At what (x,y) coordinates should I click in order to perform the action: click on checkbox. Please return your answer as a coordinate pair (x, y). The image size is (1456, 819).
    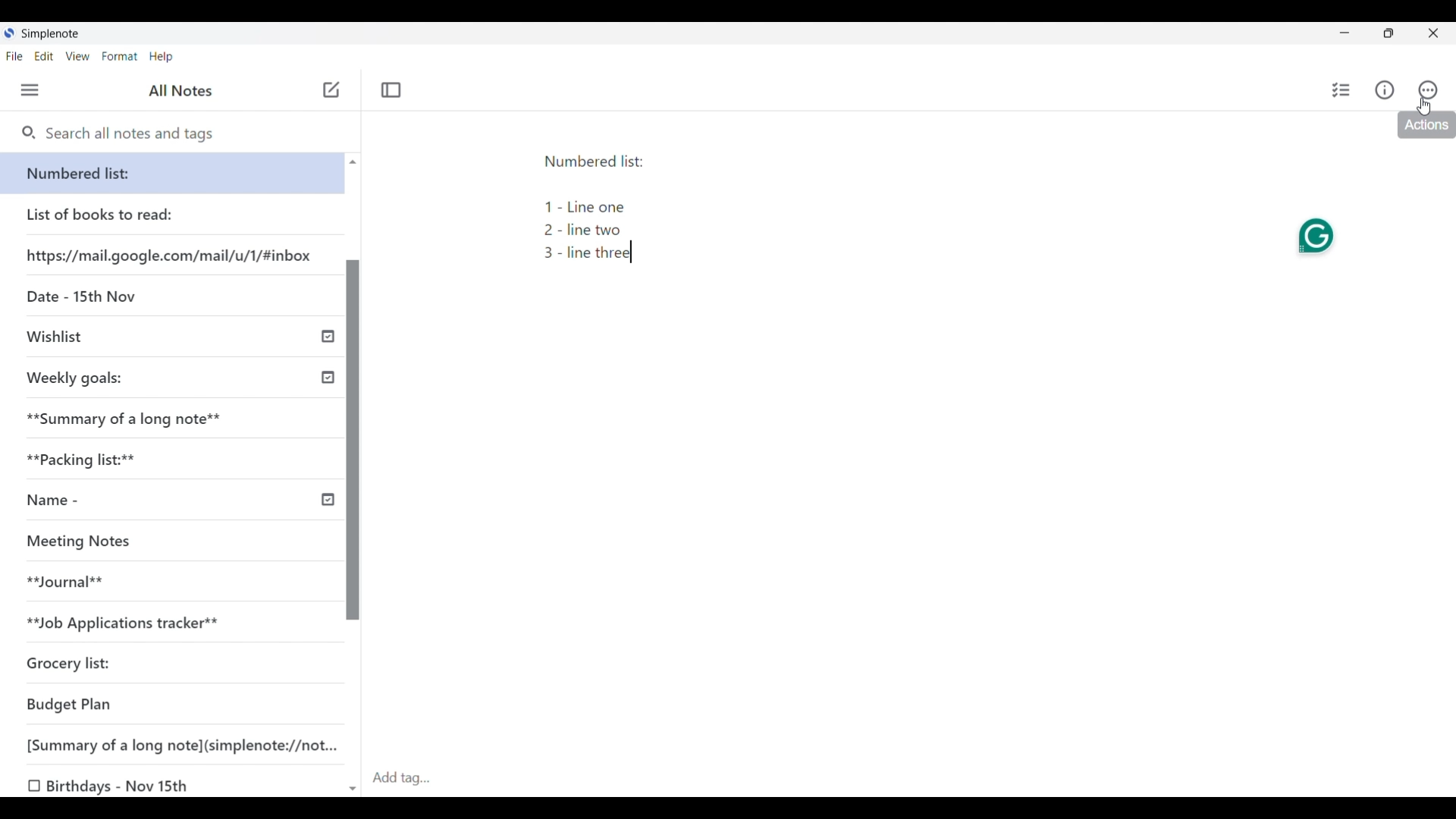
    Looking at the image, I should click on (33, 784).